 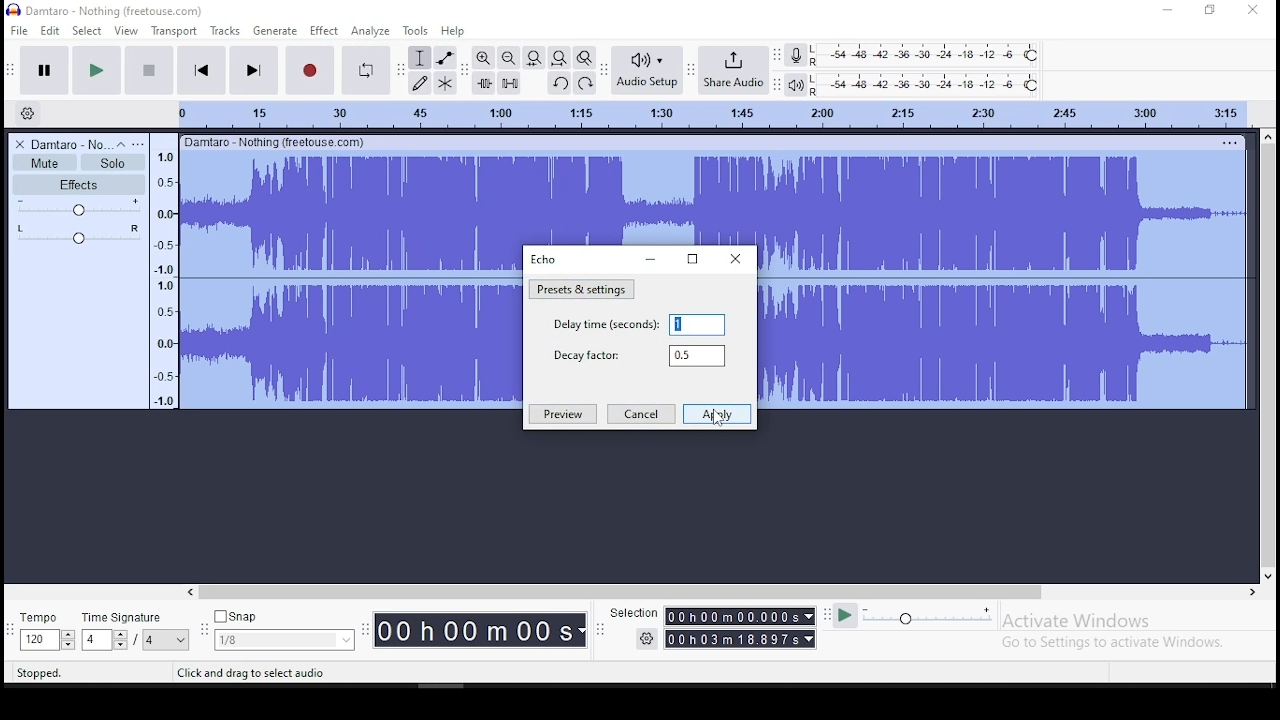 I want to click on tracks, so click(x=224, y=31).